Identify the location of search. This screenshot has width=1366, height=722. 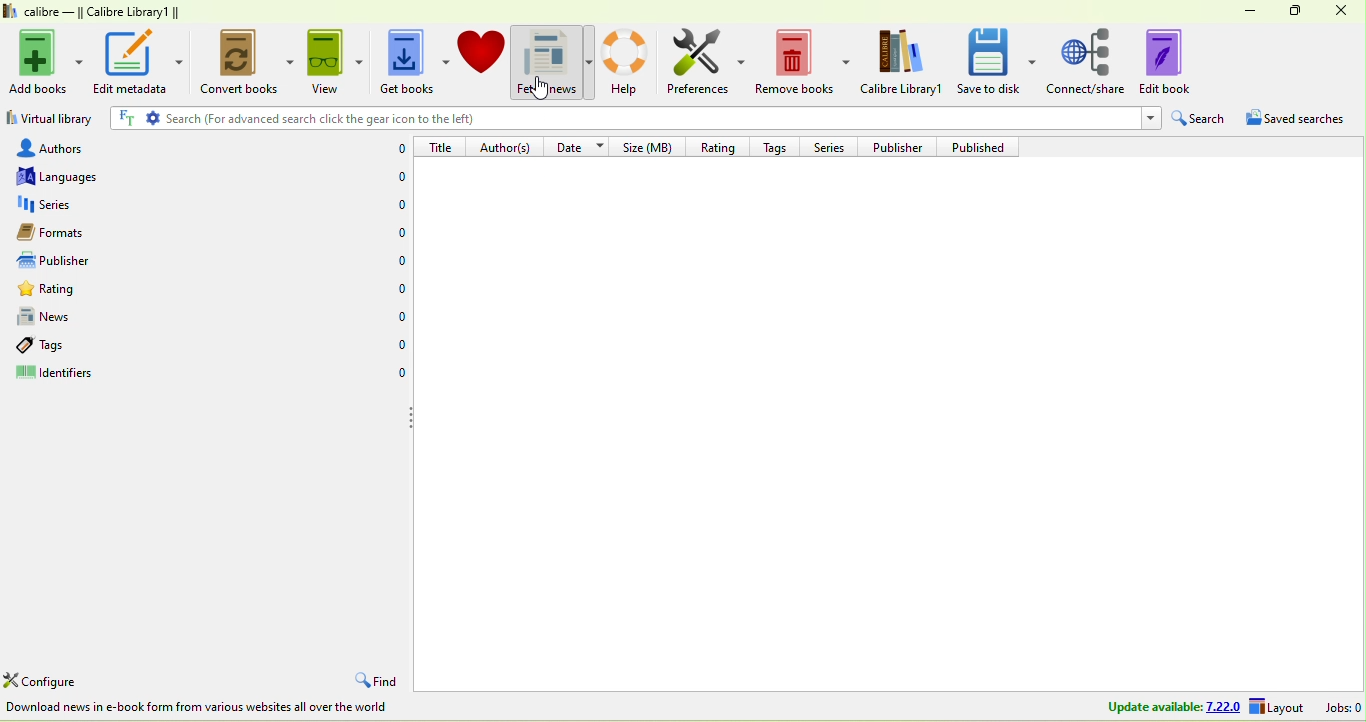
(1203, 117).